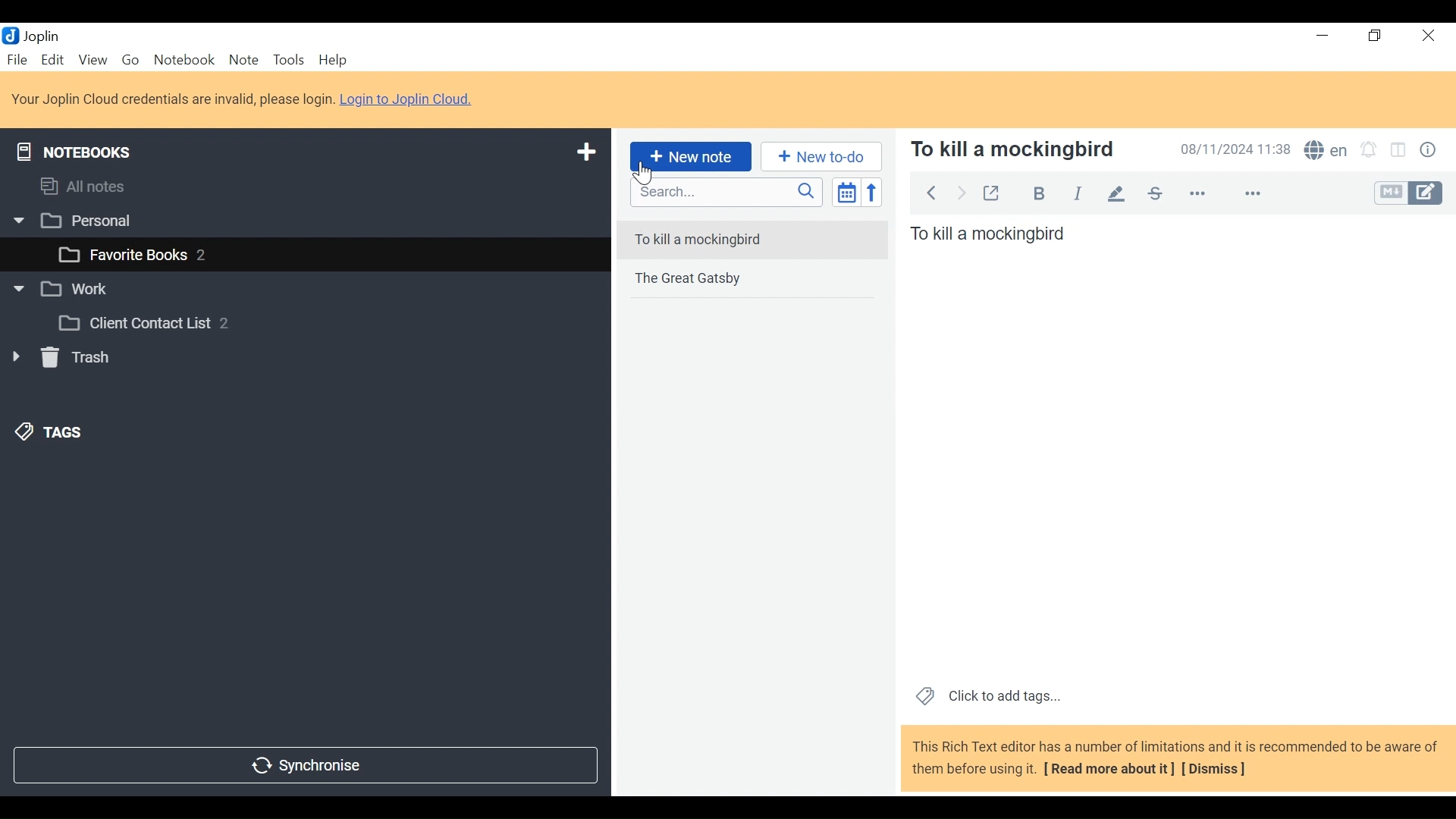 The image size is (1456, 819). What do you see at coordinates (1429, 151) in the screenshot?
I see `Note properties` at bounding box center [1429, 151].